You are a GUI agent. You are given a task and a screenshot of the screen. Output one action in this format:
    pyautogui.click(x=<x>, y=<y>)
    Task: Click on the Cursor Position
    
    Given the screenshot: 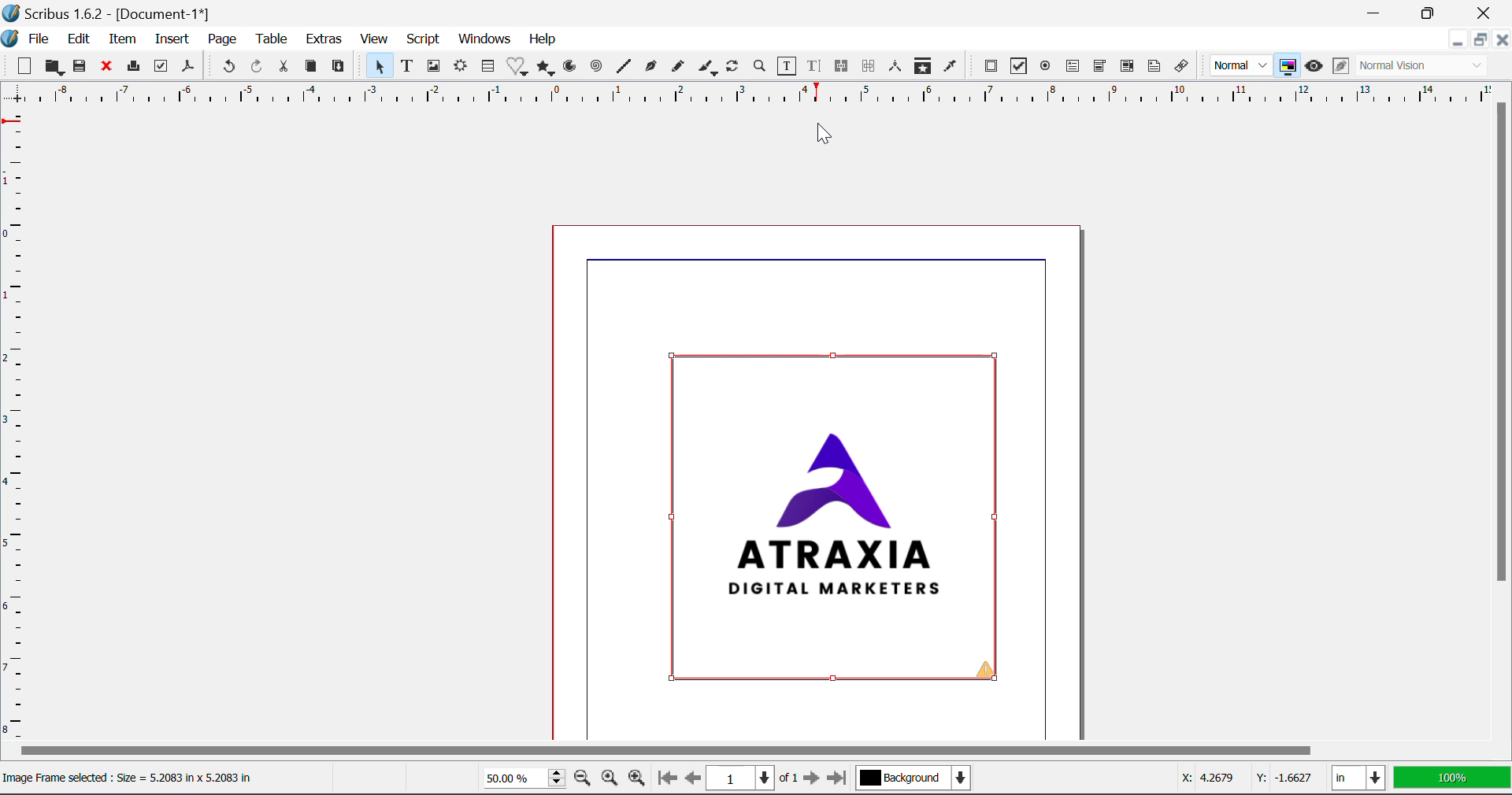 What is the action you would take?
    pyautogui.click(x=1240, y=779)
    